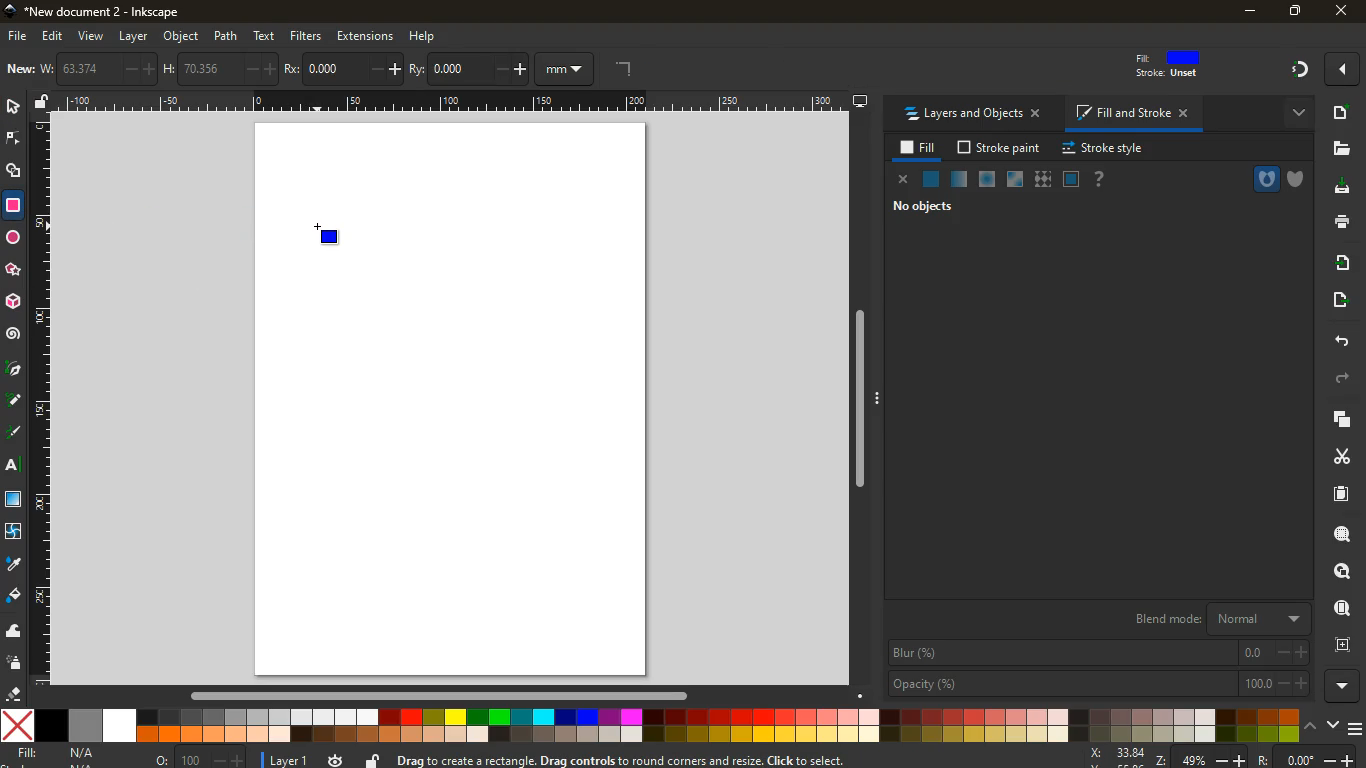  I want to click on time, so click(337, 760).